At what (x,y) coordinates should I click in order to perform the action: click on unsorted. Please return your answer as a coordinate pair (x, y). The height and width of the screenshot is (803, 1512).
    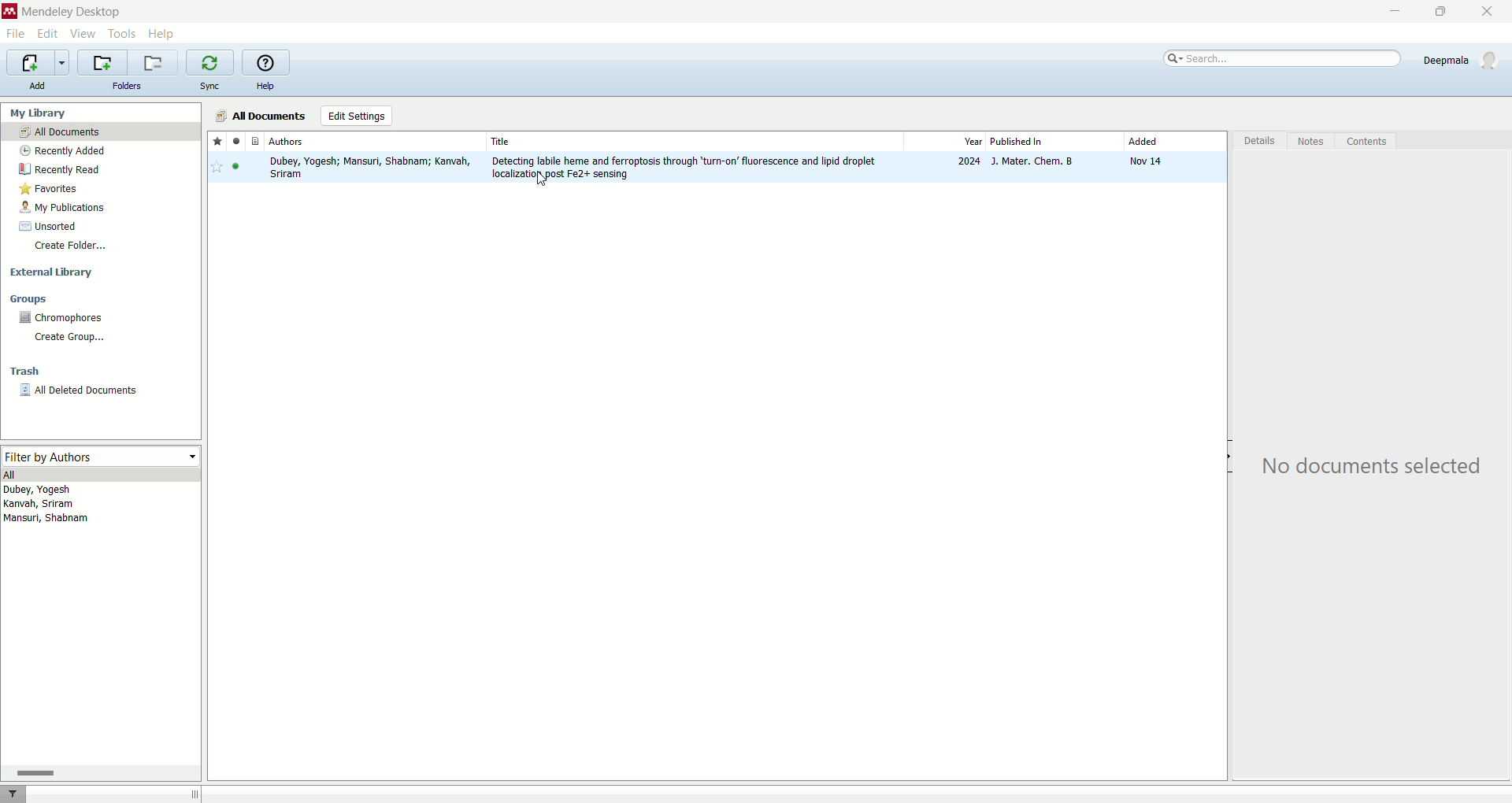
    Looking at the image, I should click on (48, 226).